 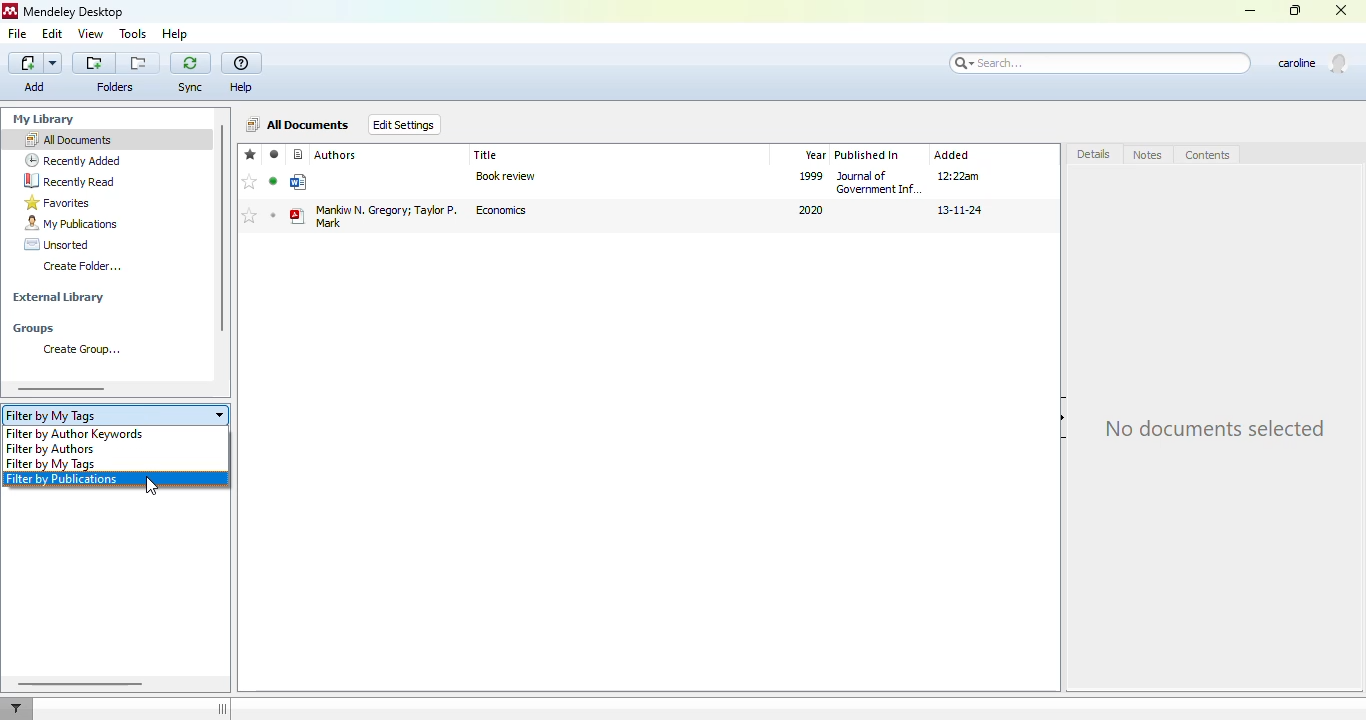 What do you see at coordinates (72, 181) in the screenshot?
I see `recently read` at bounding box center [72, 181].